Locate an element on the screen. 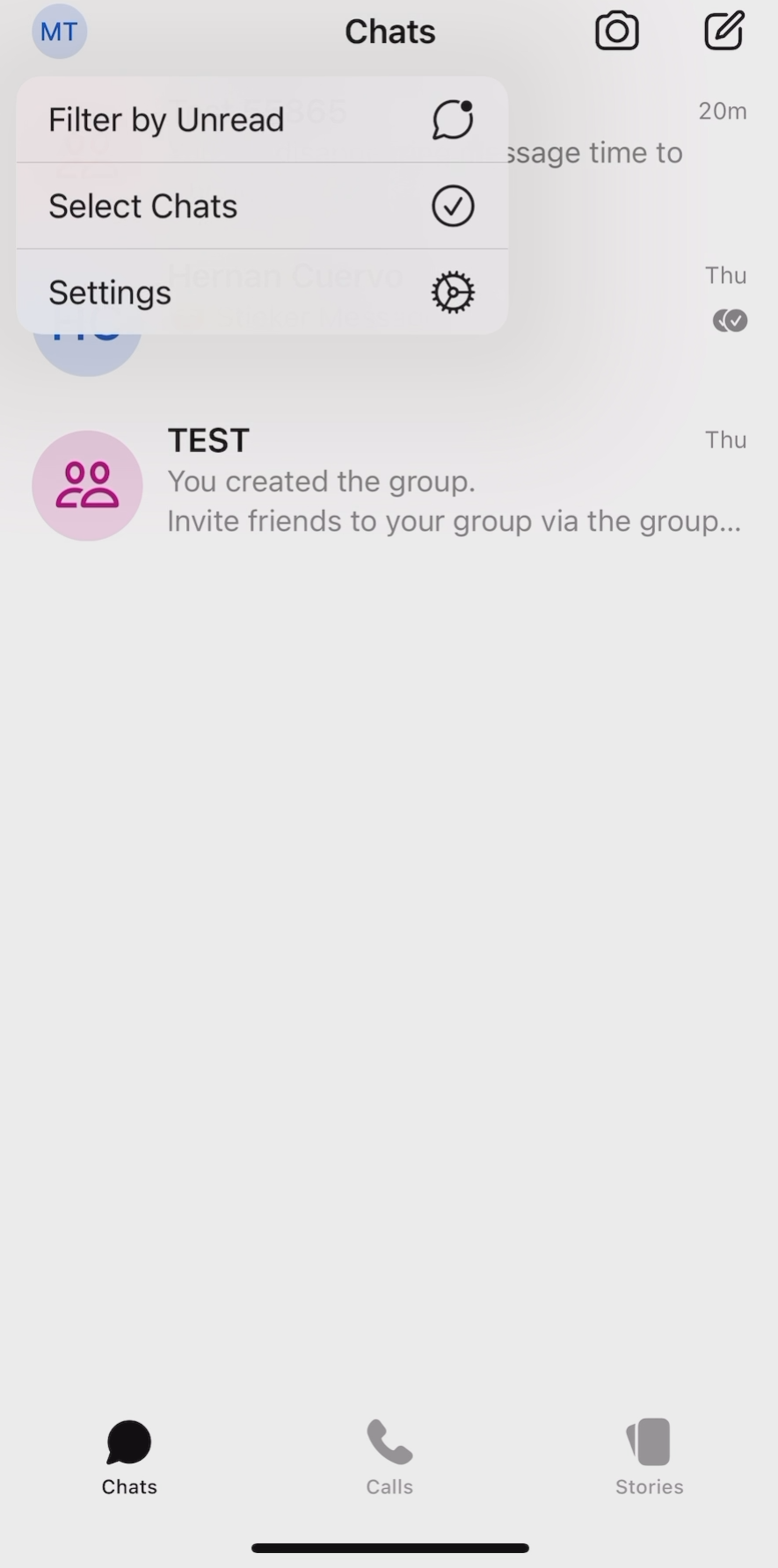 The width and height of the screenshot is (778, 1568). select chats is located at coordinates (263, 211).